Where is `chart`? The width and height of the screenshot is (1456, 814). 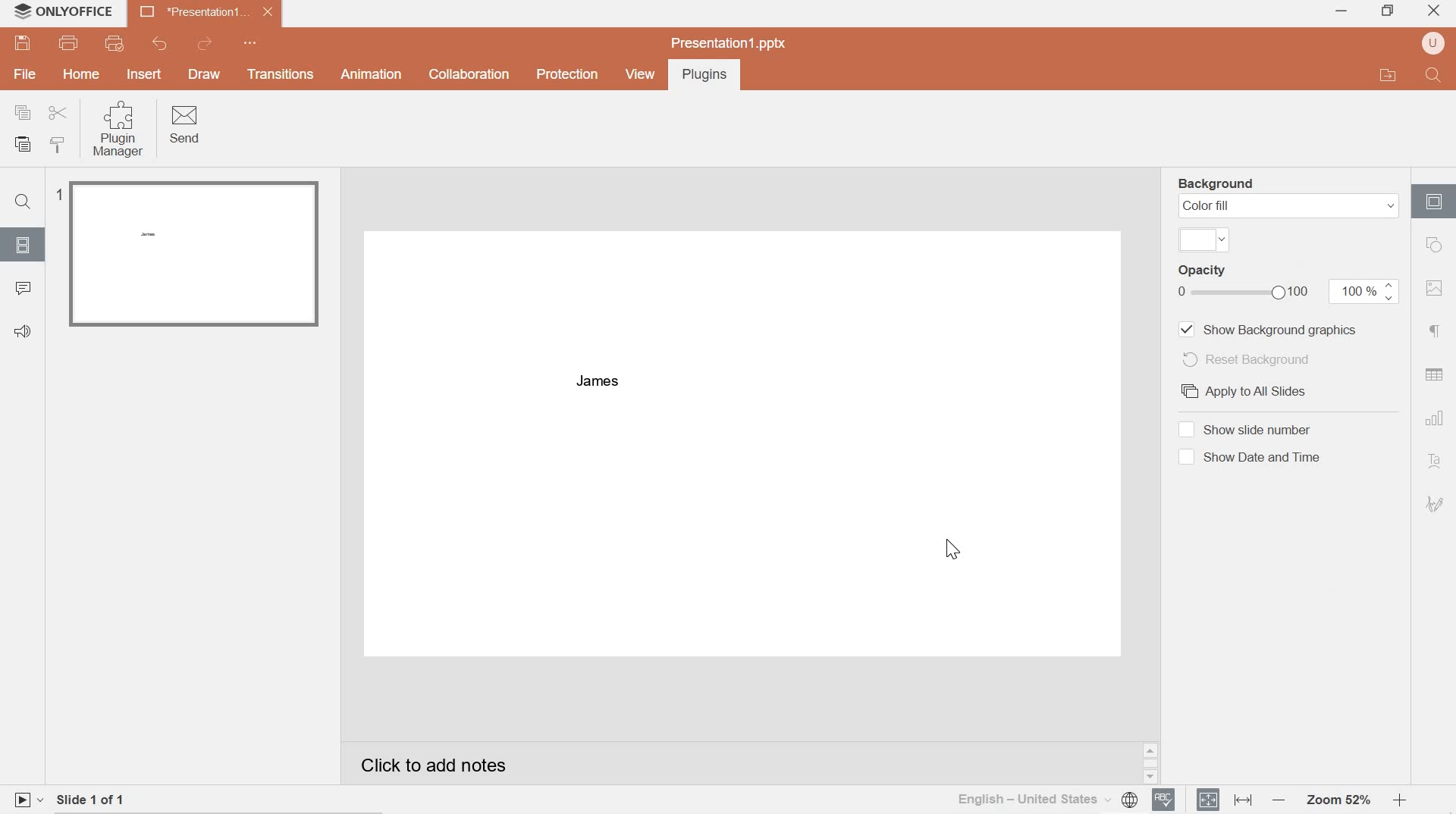 chart is located at coordinates (1434, 418).